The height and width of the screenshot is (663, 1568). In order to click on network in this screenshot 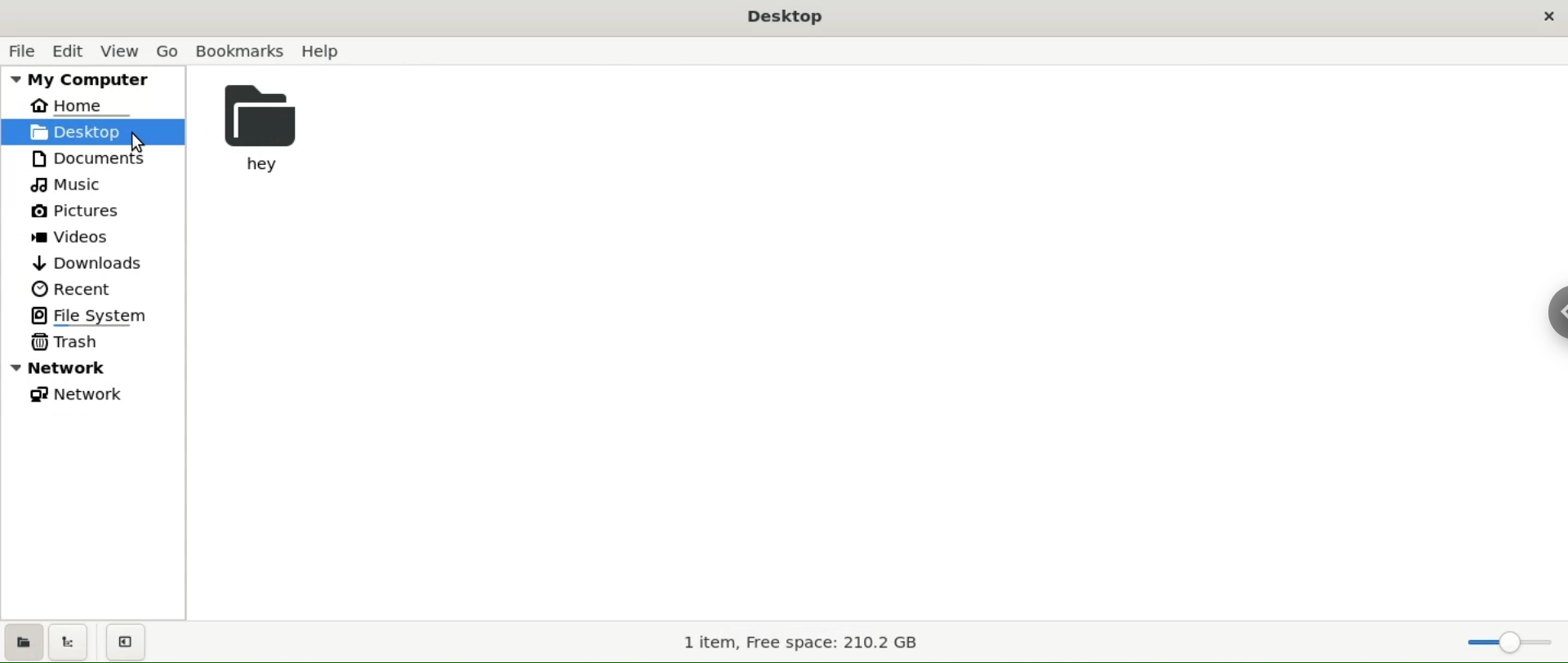, I will do `click(90, 365)`.